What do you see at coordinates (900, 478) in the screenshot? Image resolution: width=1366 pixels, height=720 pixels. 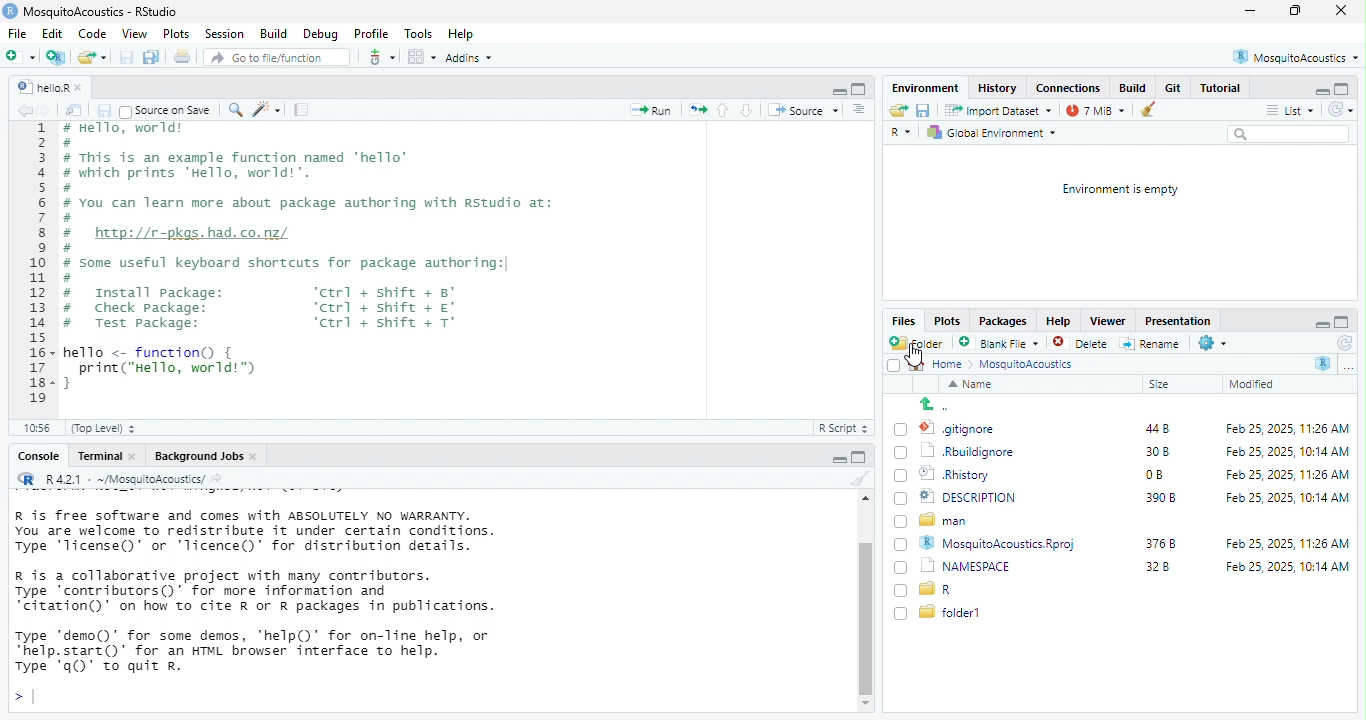 I see `checkbox` at bounding box center [900, 478].